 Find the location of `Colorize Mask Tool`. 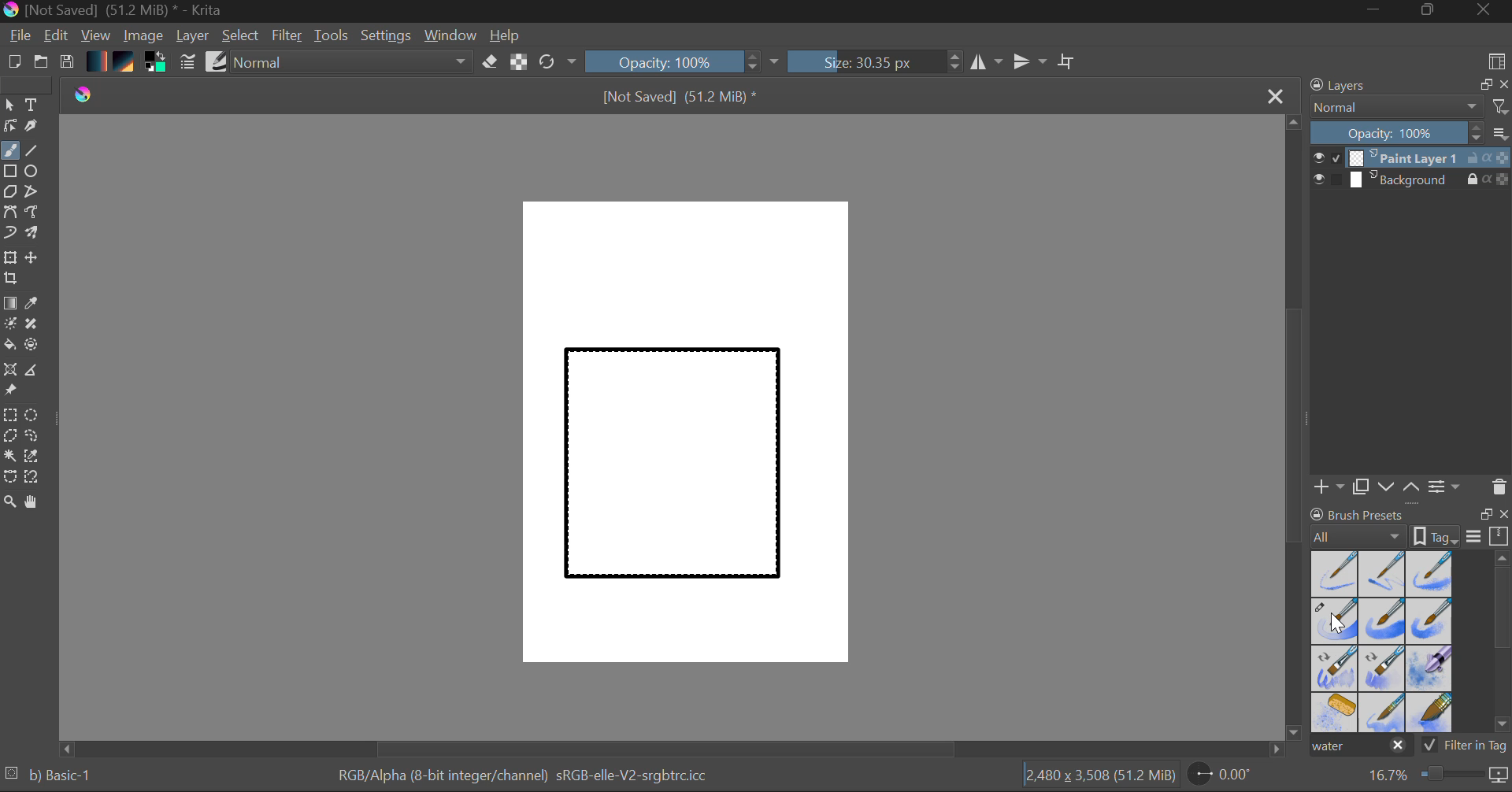

Colorize Mask Tool is located at coordinates (11, 325).